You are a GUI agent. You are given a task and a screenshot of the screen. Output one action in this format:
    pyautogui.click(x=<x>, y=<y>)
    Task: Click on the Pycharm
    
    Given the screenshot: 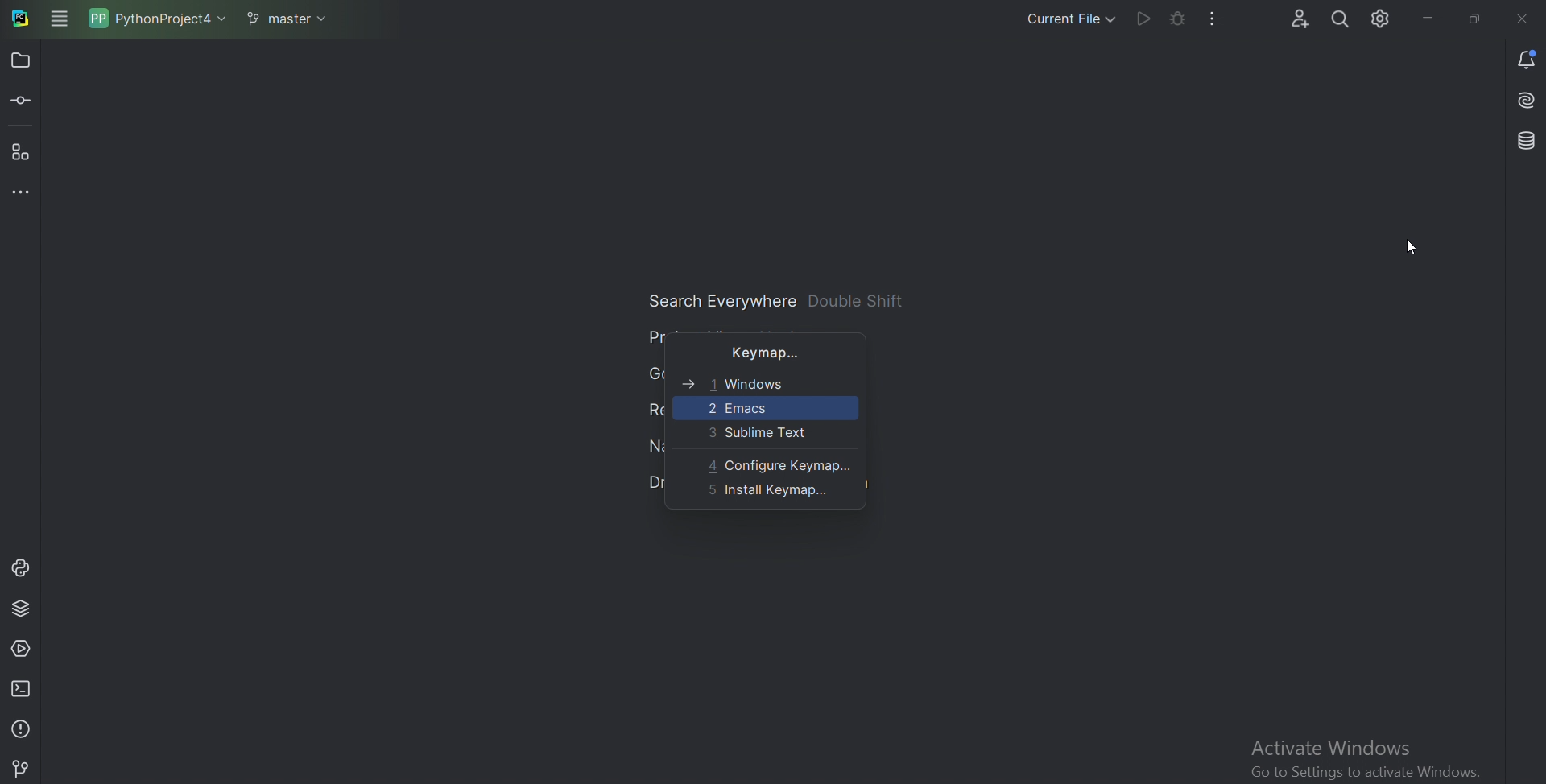 What is the action you would take?
    pyautogui.click(x=21, y=19)
    